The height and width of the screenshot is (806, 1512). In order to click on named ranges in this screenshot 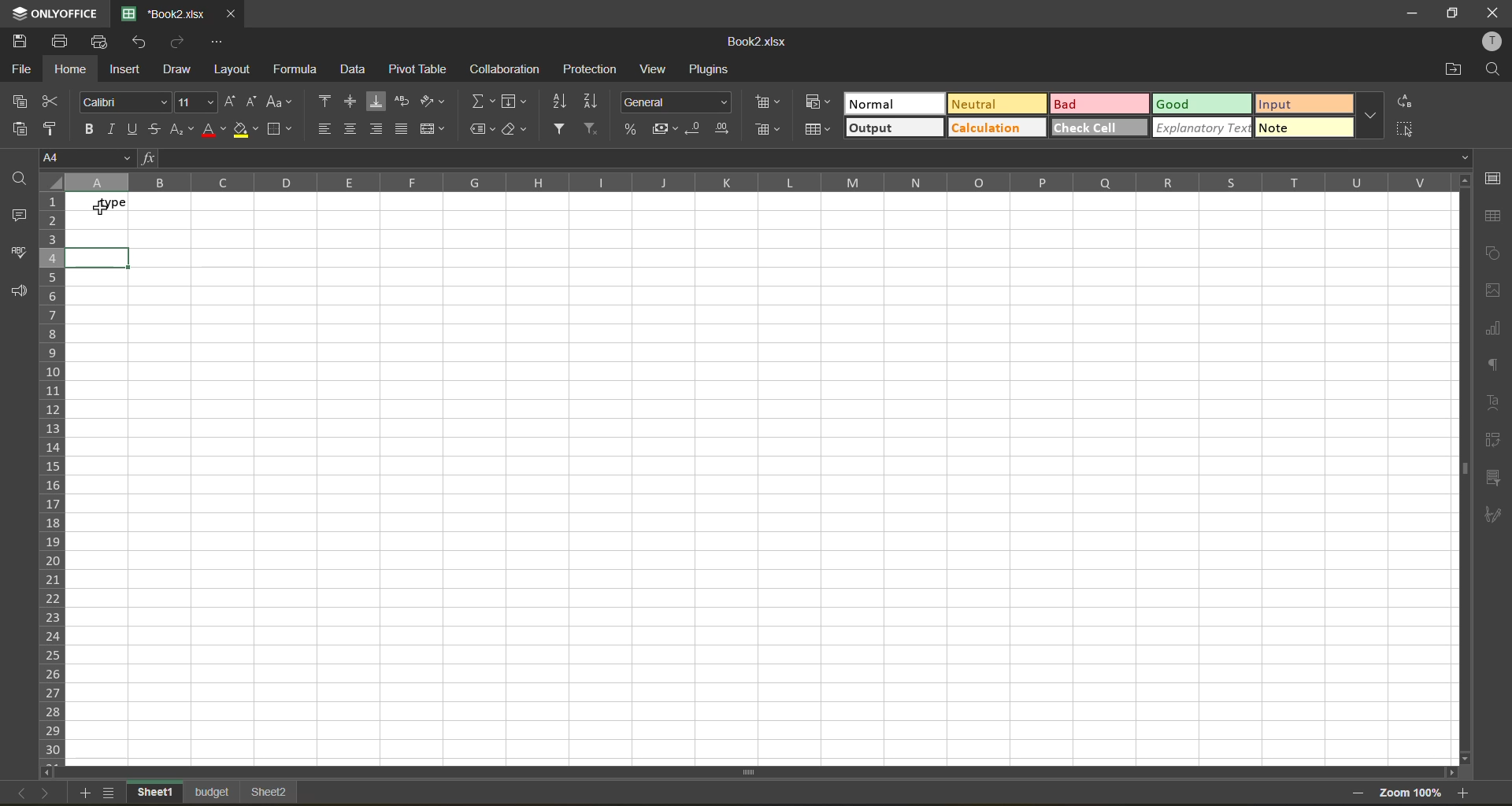, I will do `click(480, 129)`.